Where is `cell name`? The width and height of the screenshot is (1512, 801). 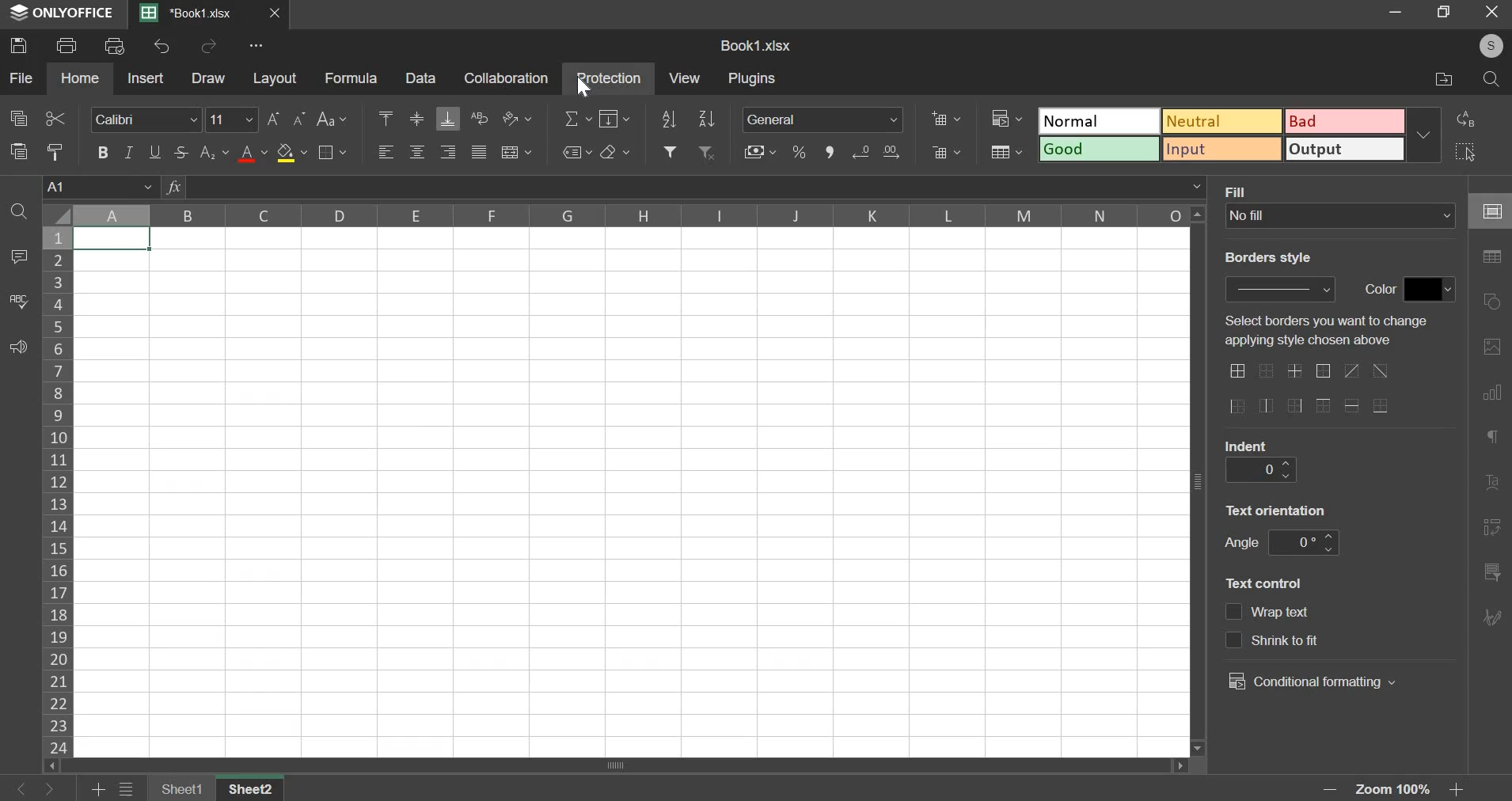
cell name is located at coordinates (101, 185).